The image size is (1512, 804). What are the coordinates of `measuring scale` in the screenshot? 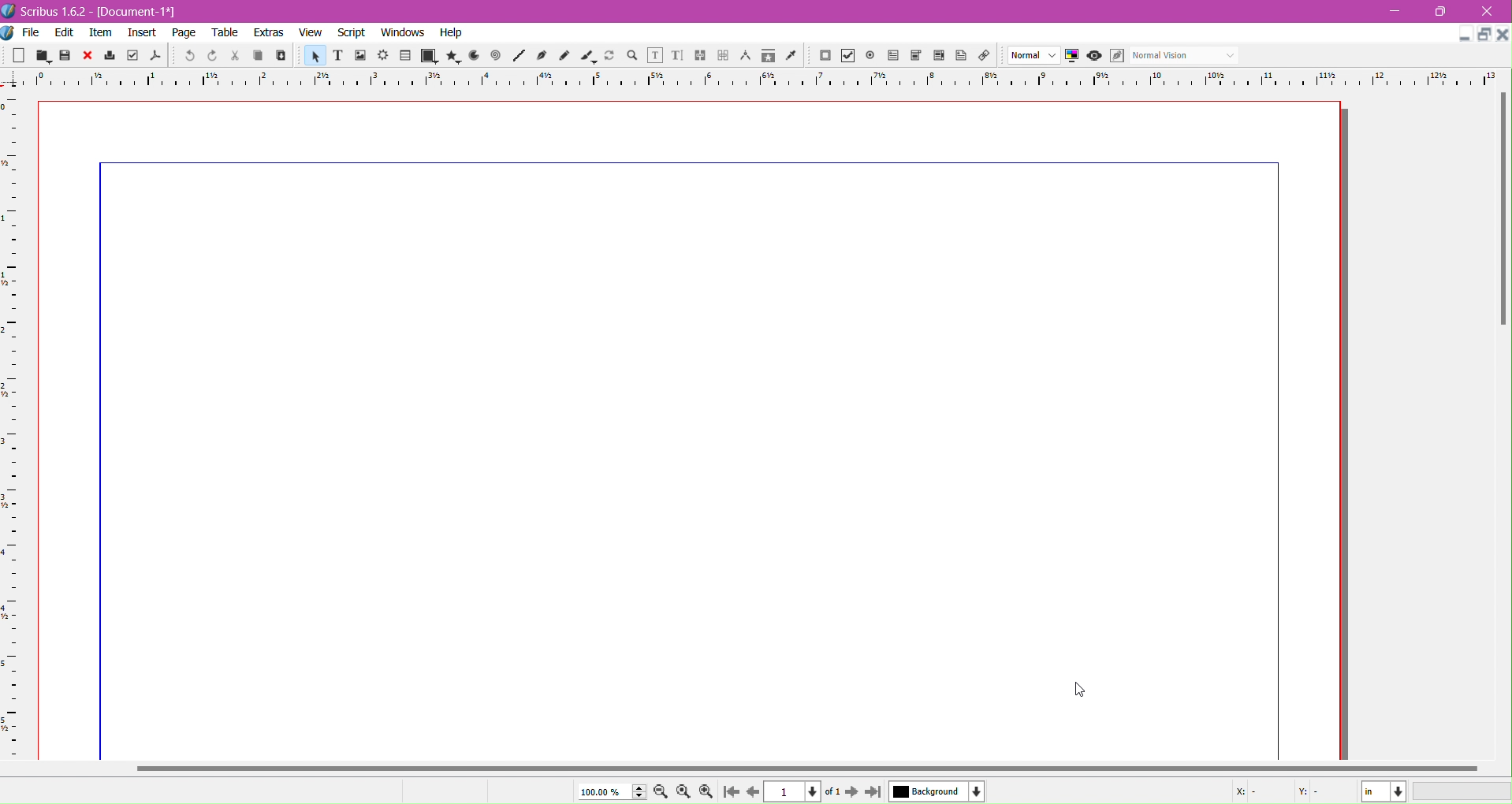 It's located at (752, 80).